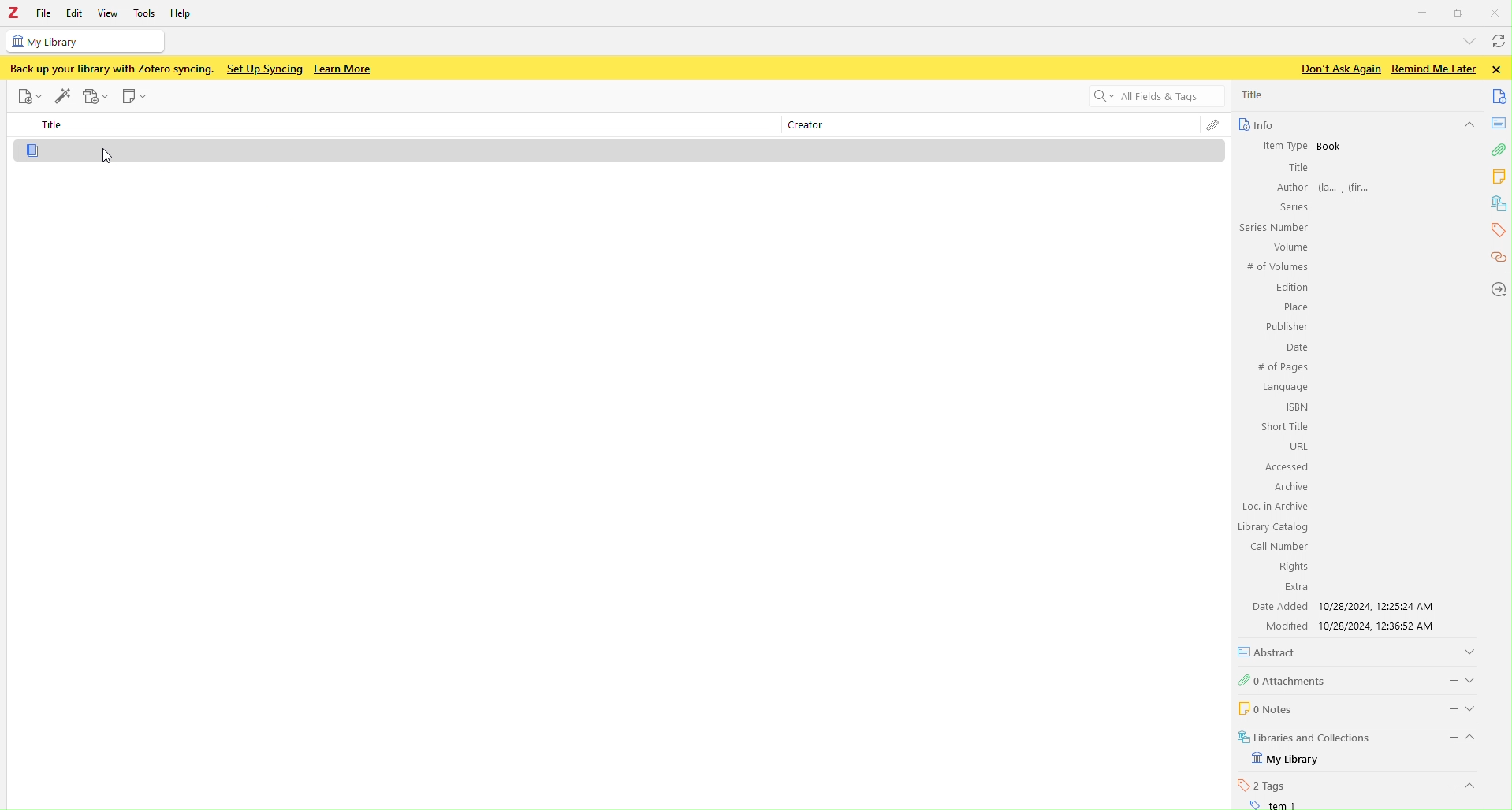  Describe the element at coordinates (1498, 152) in the screenshot. I see `attachment` at that location.